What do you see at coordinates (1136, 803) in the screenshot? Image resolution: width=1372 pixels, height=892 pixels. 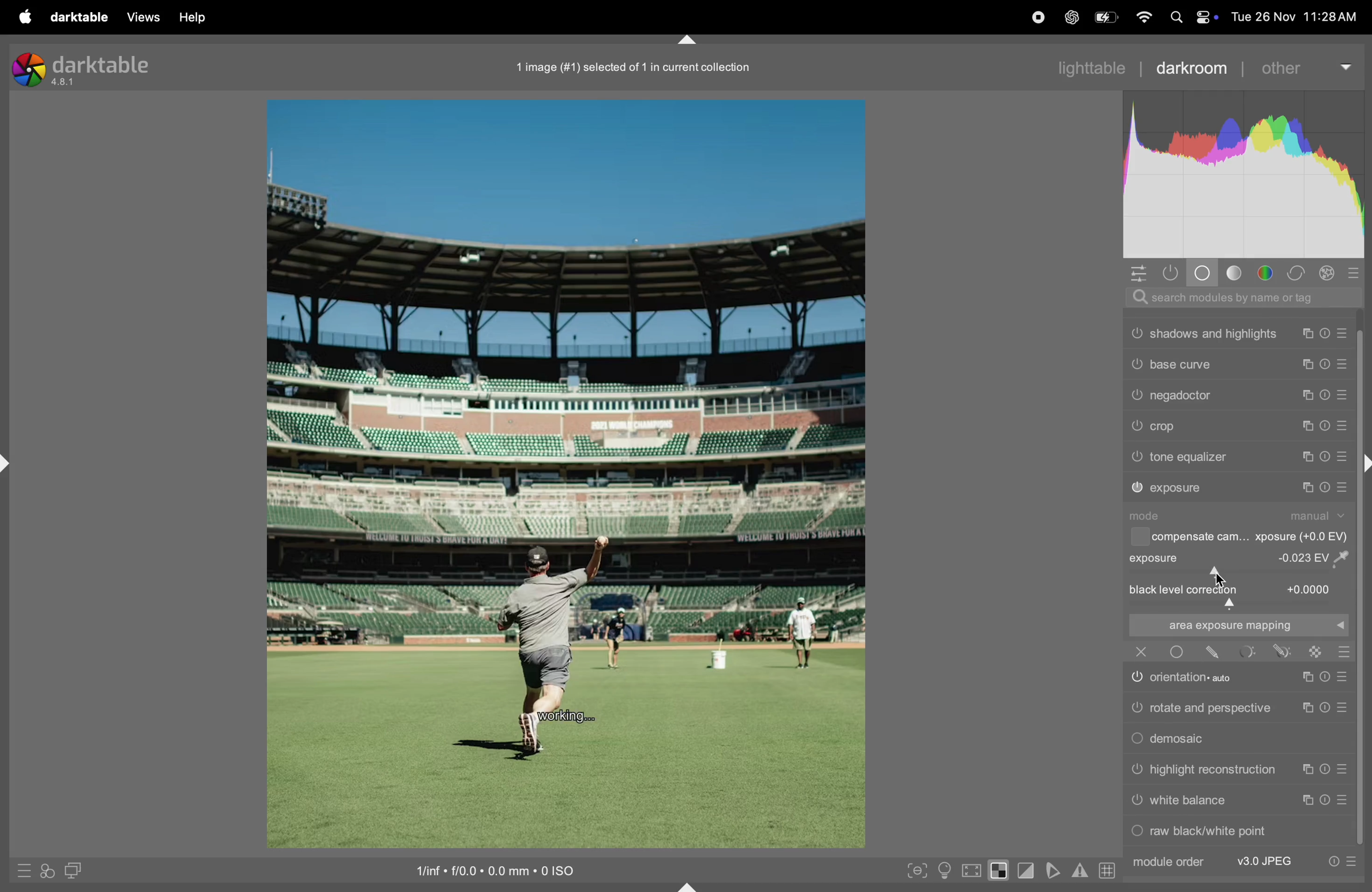 I see `Switch on or off` at bounding box center [1136, 803].